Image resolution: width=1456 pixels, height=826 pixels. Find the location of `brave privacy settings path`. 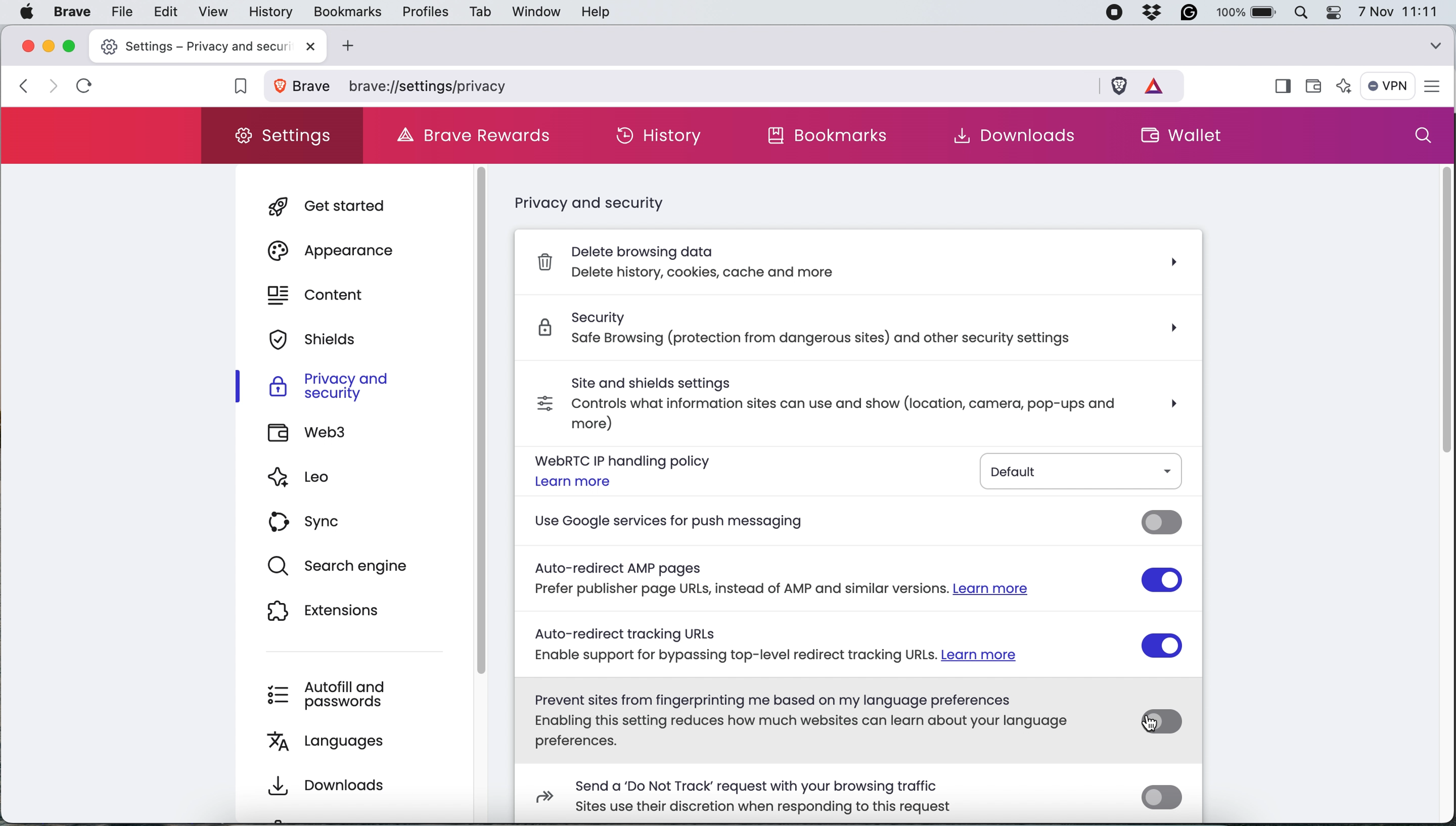

brave privacy settings path is located at coordinates (722, 86).